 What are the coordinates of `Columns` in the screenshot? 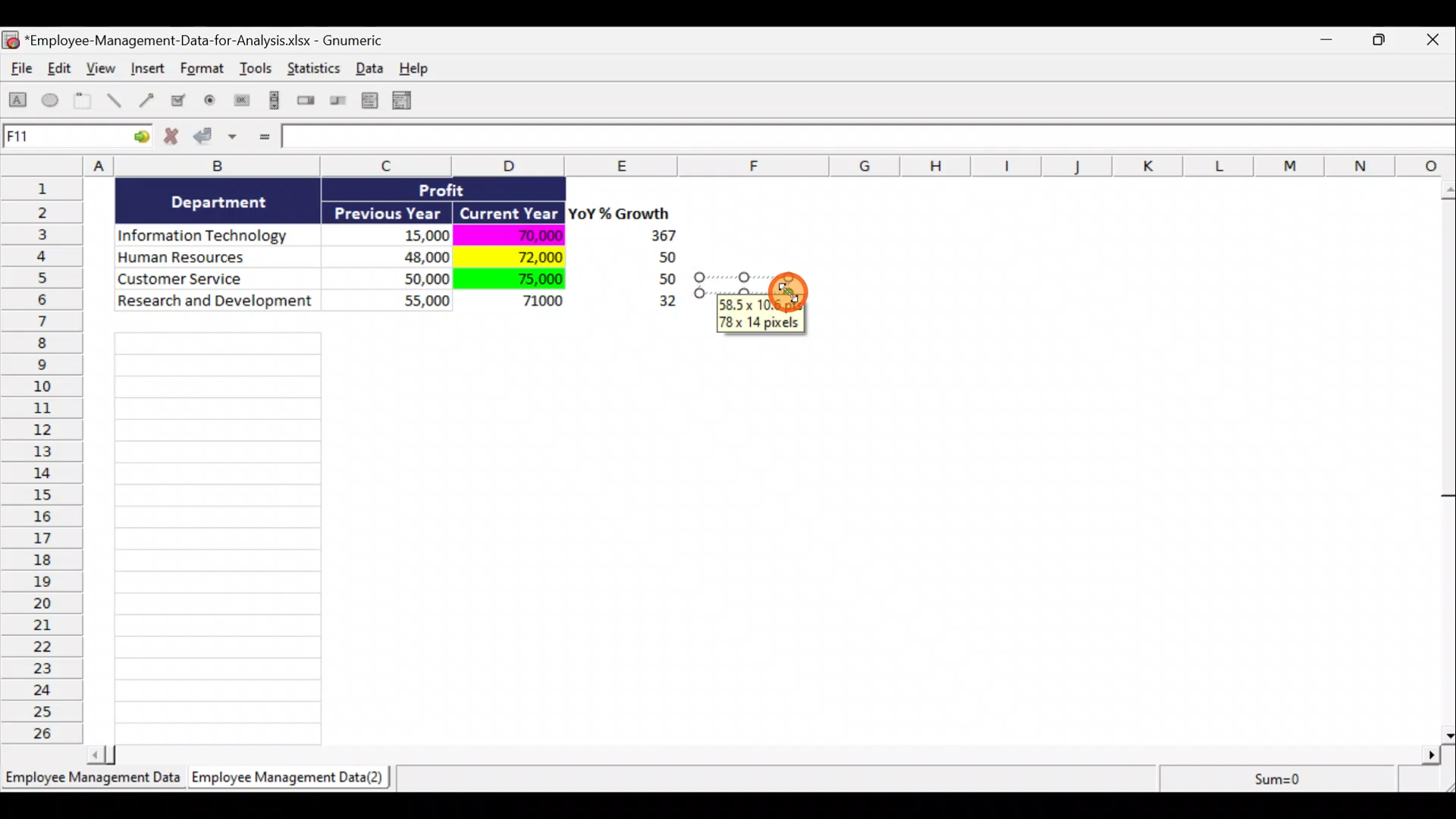 It's located at (733, 165).